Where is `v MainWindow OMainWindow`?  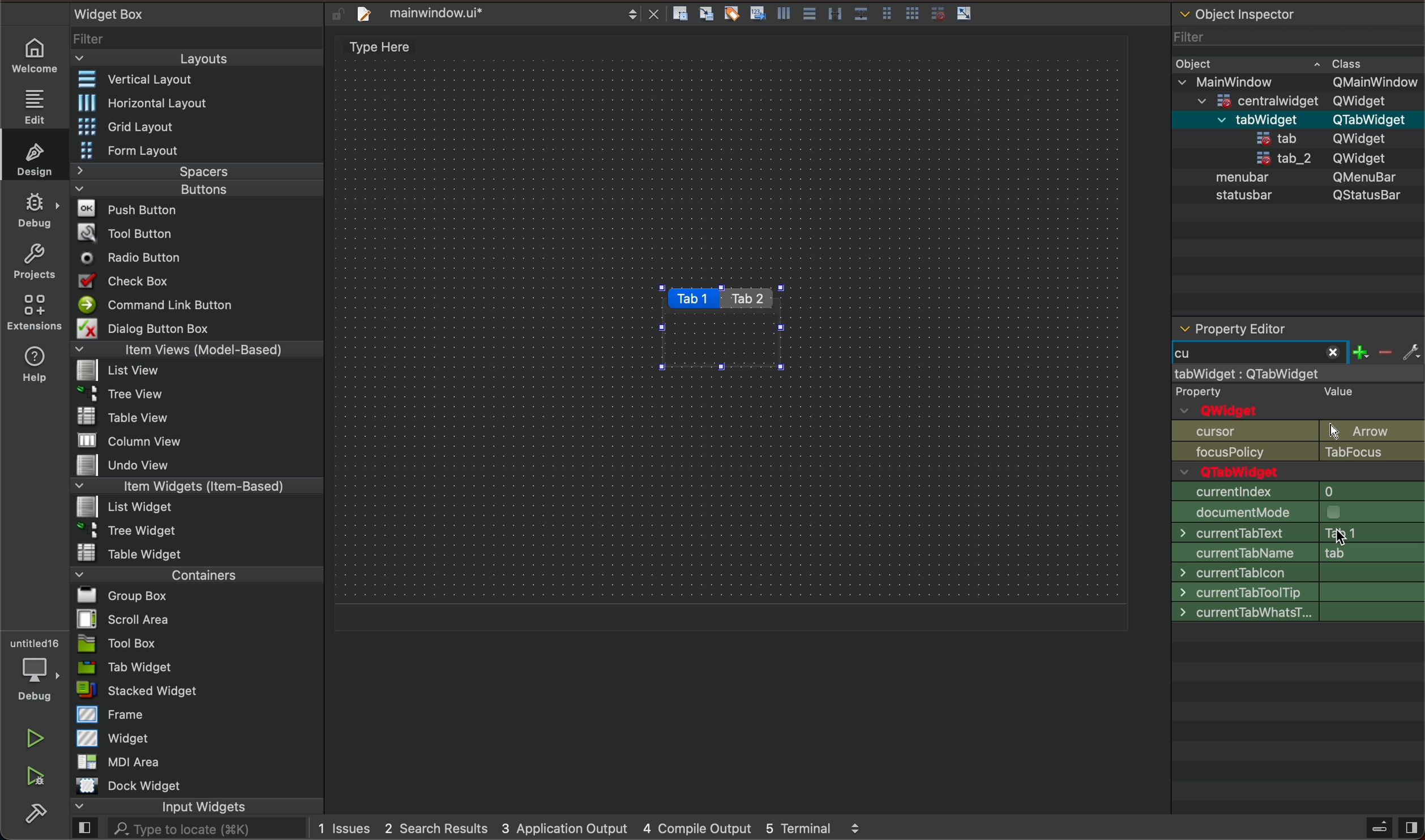
v MainWindow OMainWindow is located at coordinates (1299, 80).